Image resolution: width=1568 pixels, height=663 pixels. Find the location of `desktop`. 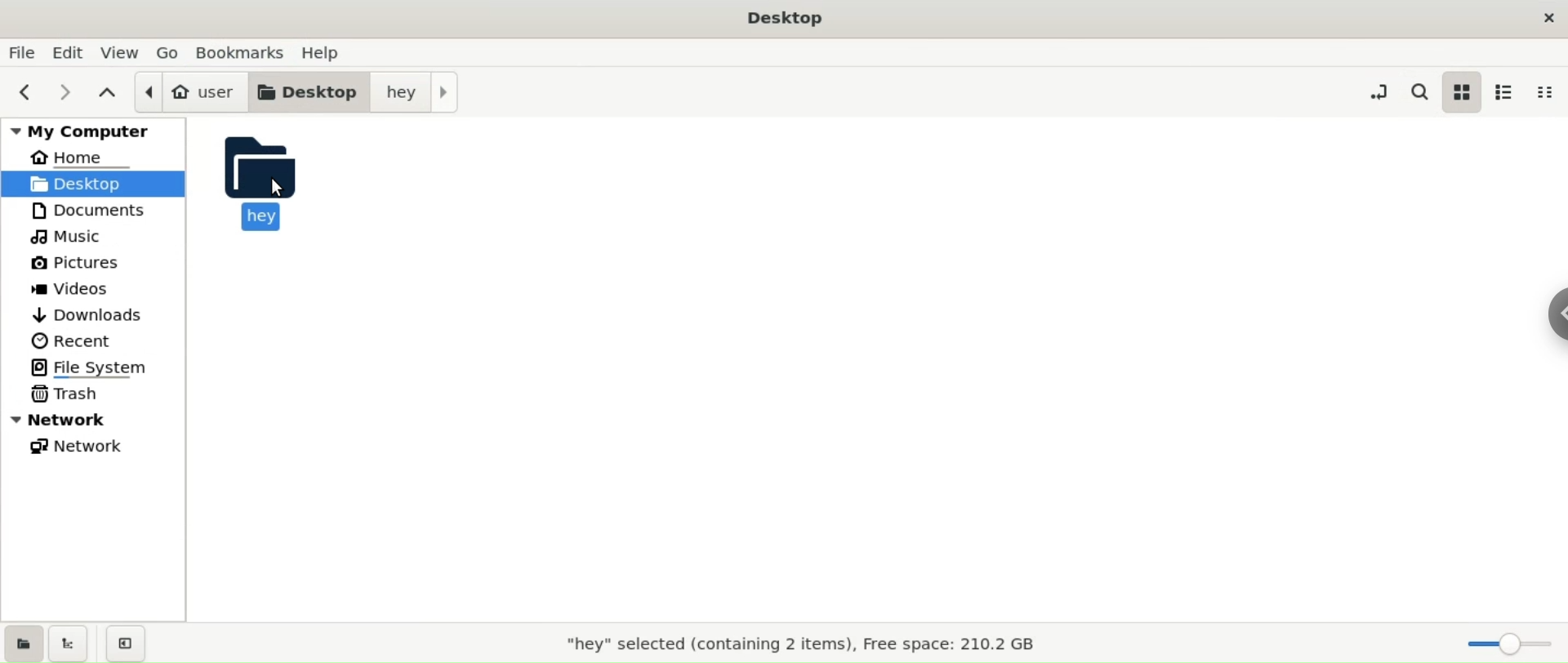

desktop is located at coordinates (305, 92).